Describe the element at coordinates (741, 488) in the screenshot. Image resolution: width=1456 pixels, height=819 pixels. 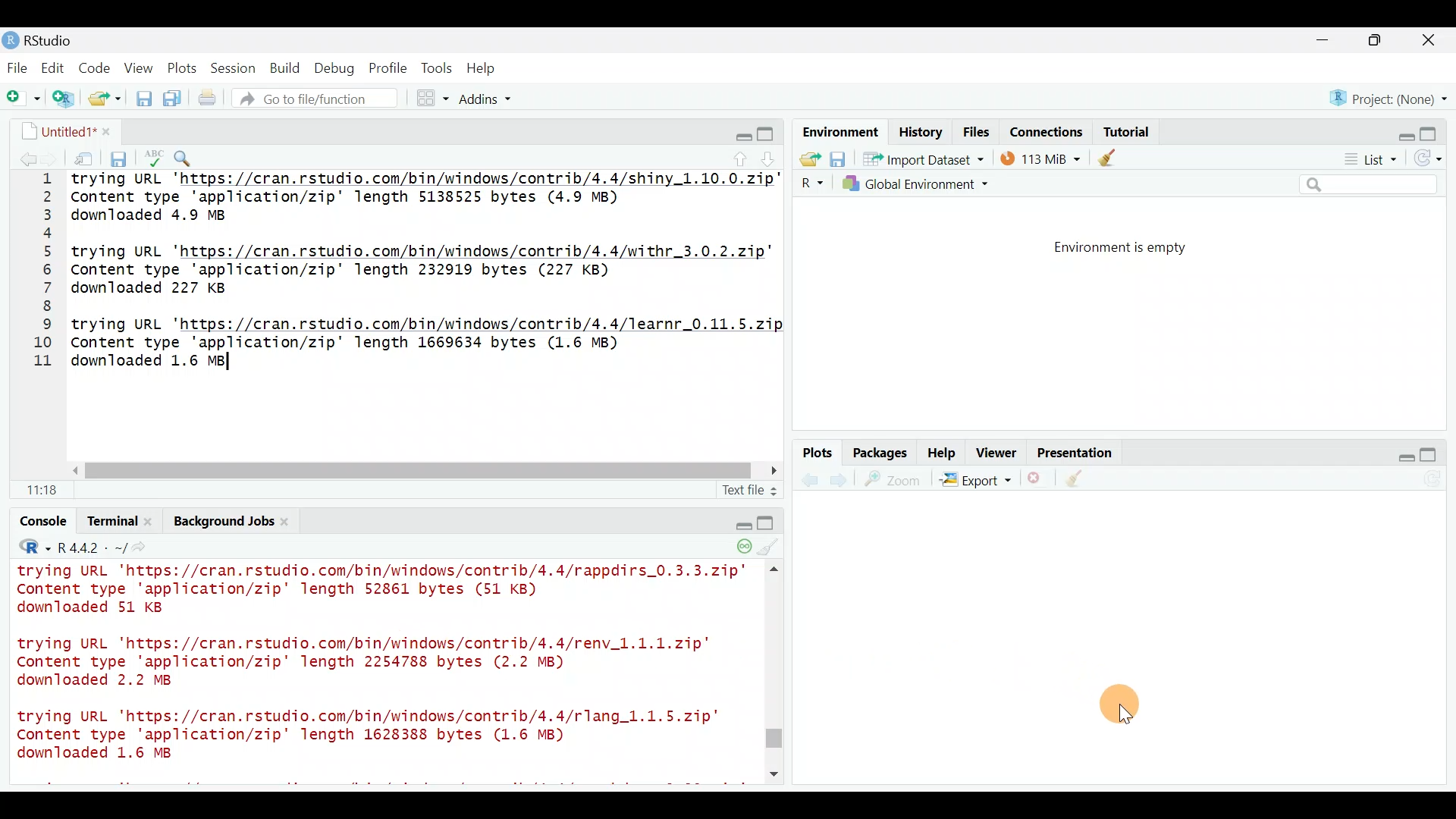
I see `Text file` at that location.